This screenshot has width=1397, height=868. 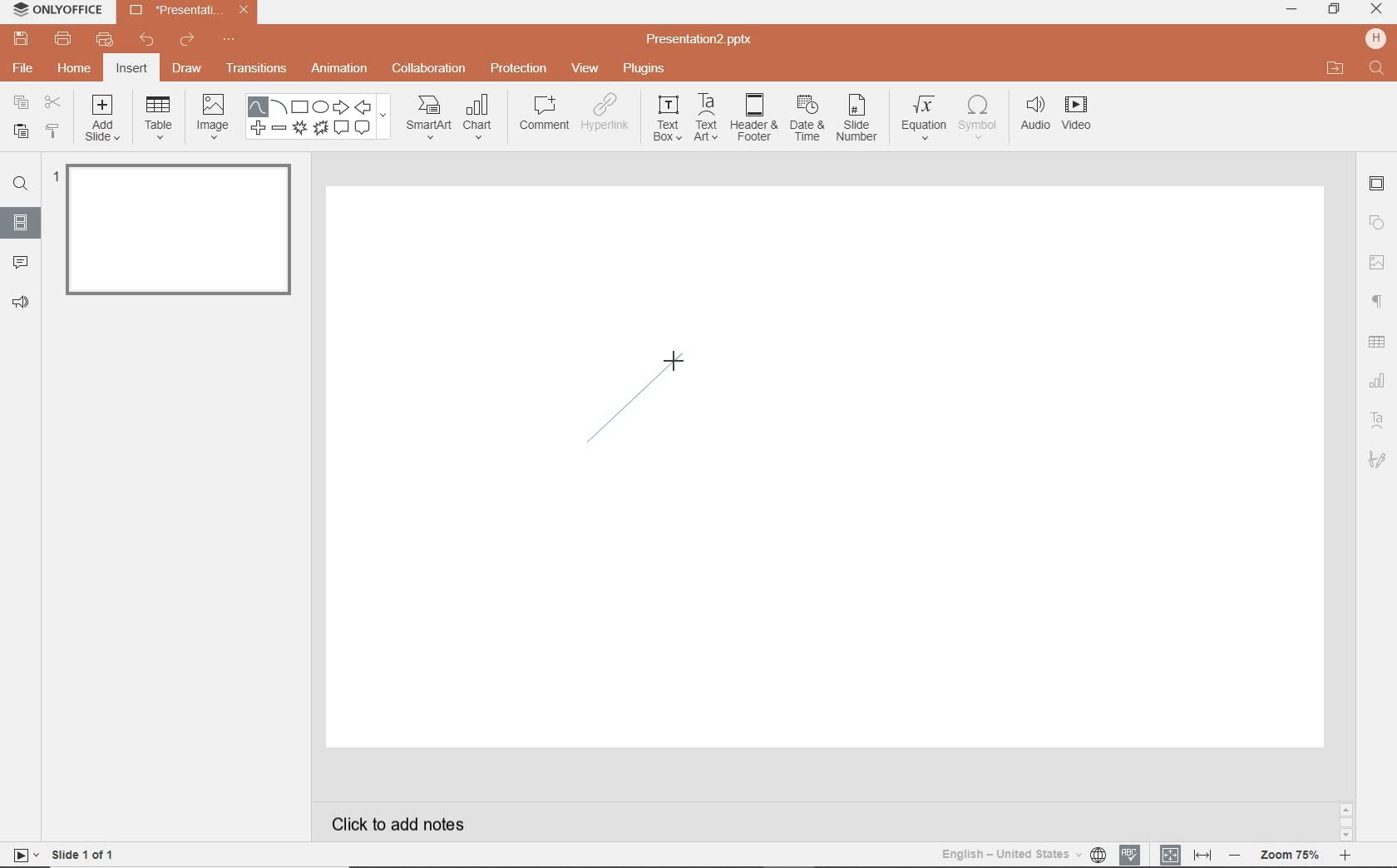 What do you see at coordinates (753, 118) in the screenshot?
I see `HEADER & FOOTER` at bounding box center [753, 118].